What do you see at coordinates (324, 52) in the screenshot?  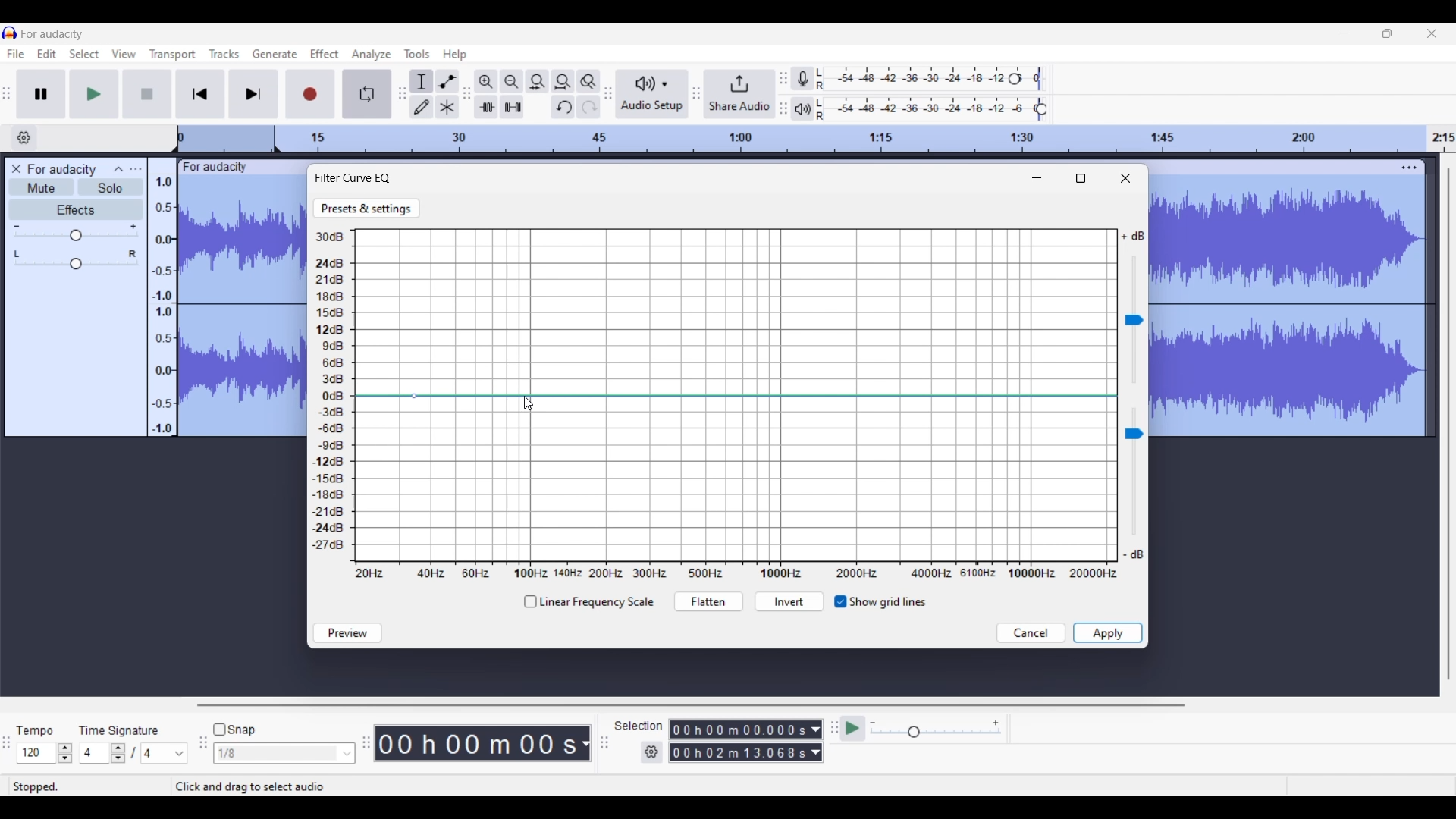 I see `Effect menu` at bounding box center [324, 52].